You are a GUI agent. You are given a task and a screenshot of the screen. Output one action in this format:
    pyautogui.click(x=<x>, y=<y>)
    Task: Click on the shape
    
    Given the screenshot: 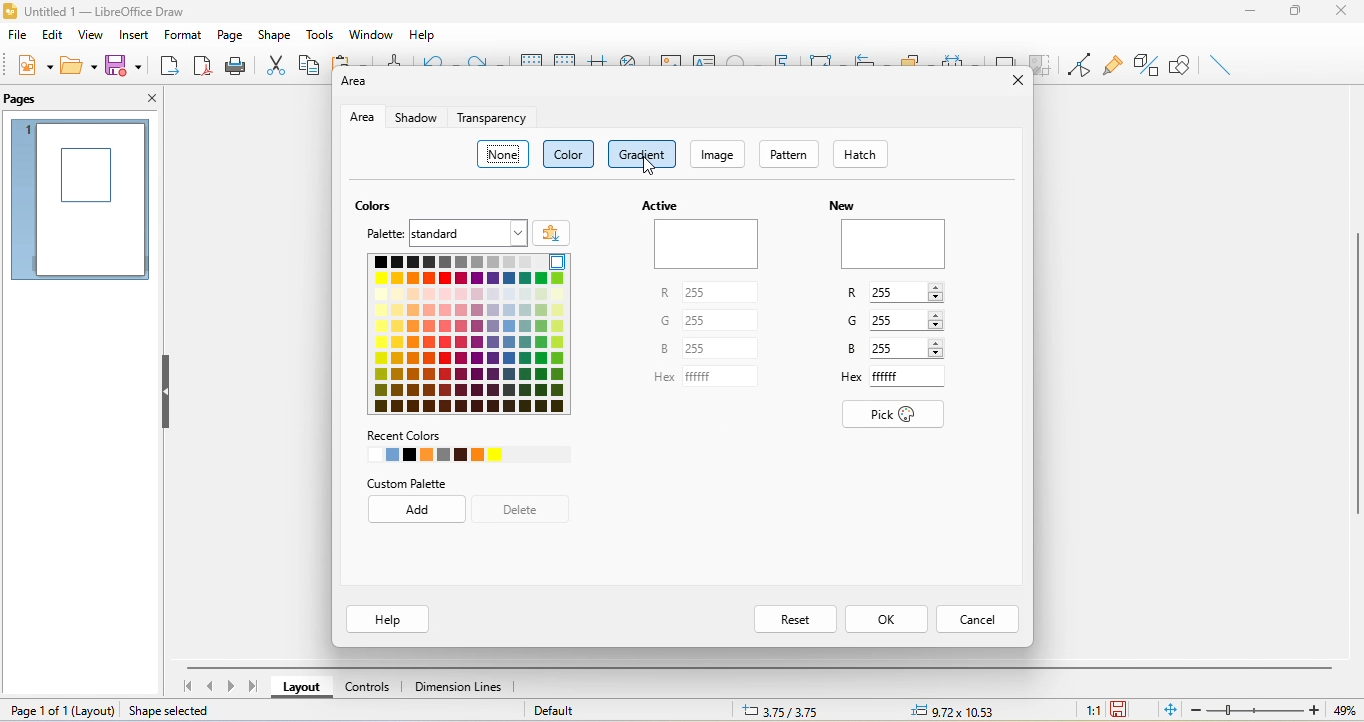 What is the action you would take?
    pyautogui.click(x=275, y=34)
    